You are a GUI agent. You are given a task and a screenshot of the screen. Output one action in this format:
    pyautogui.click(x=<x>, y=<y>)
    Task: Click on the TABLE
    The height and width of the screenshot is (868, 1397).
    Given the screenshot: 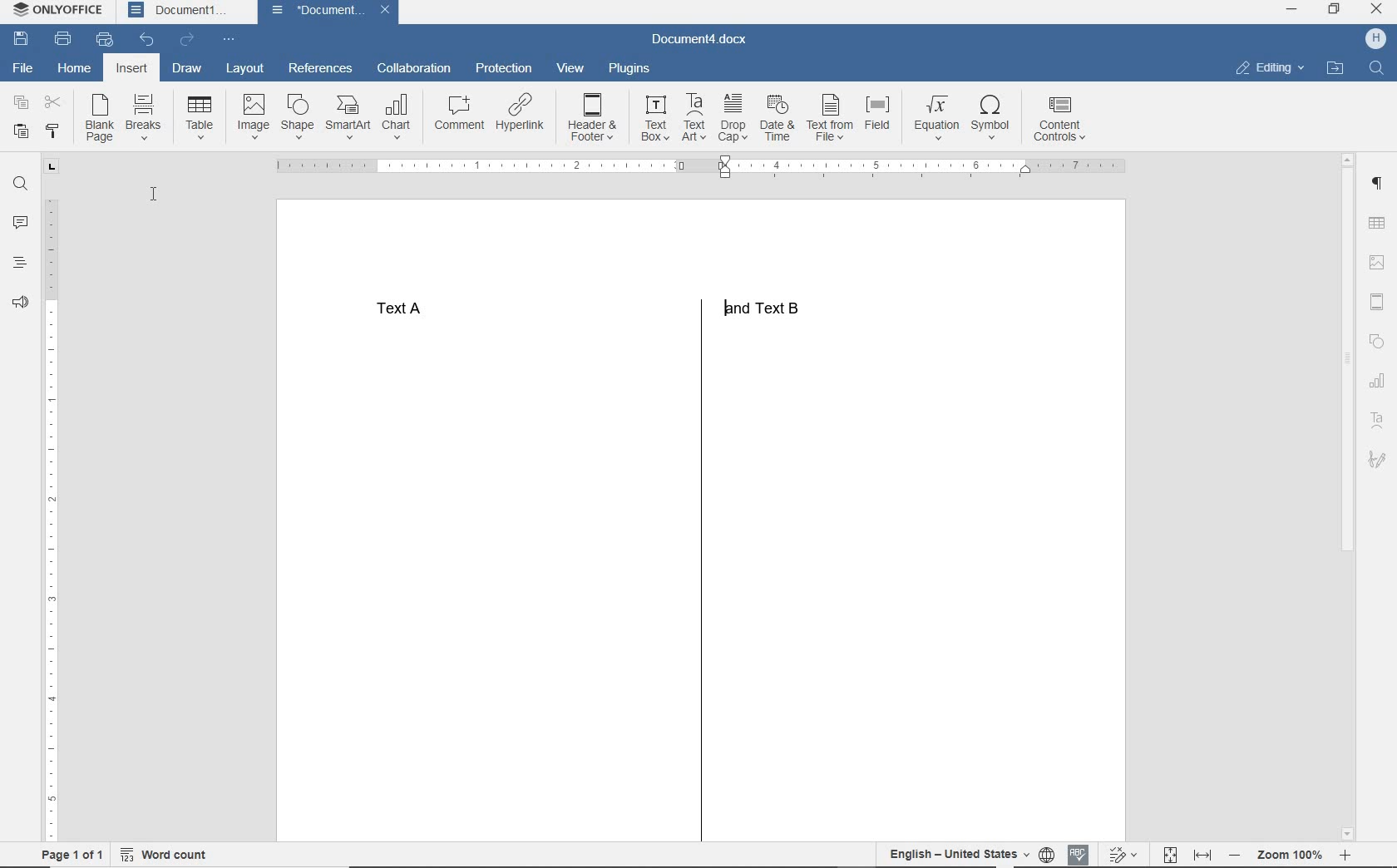 What is the action you would take?
    pyautogui.click(x=199, y=121)
    